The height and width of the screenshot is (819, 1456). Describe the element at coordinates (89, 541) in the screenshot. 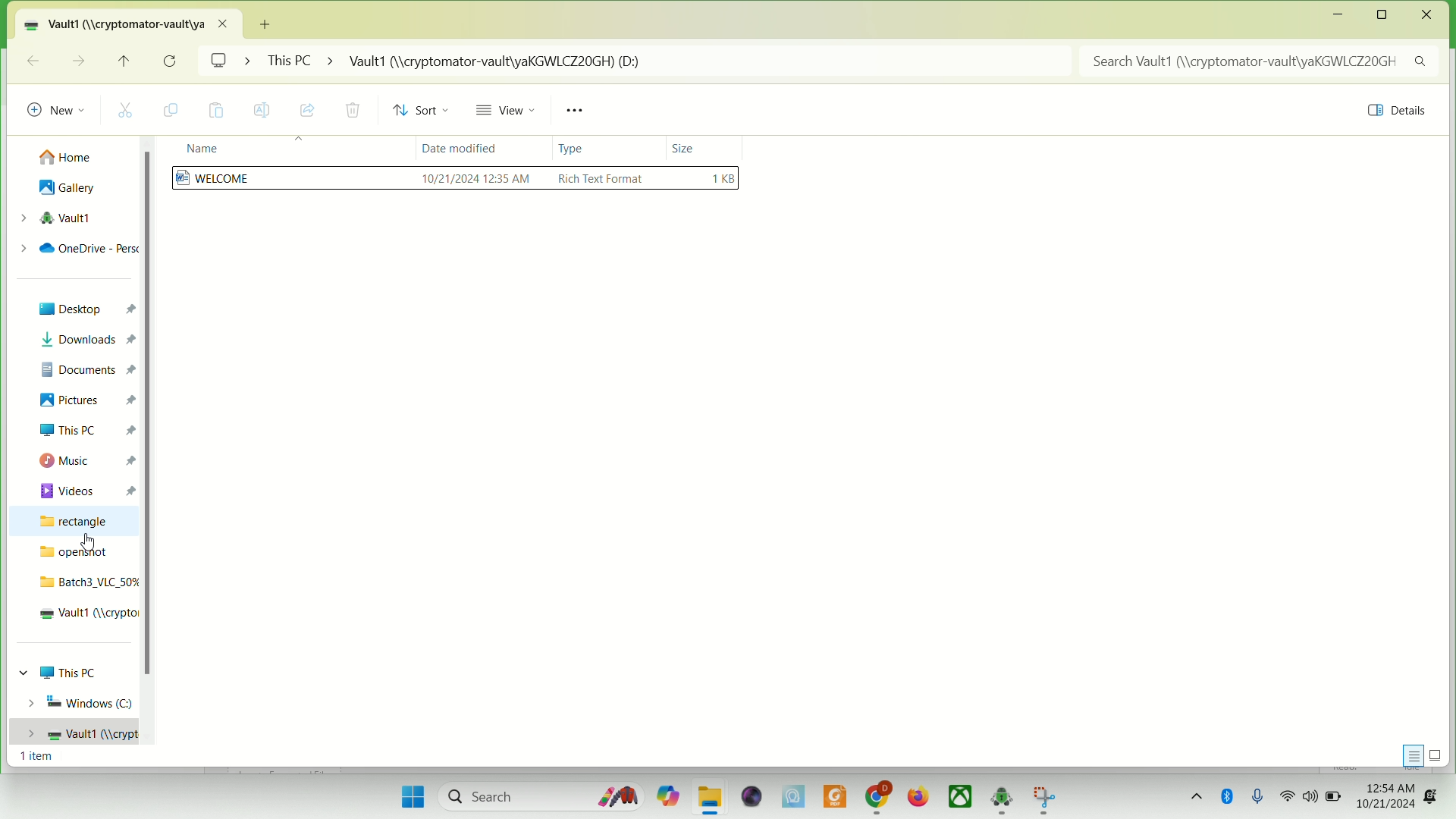

I see `cursor` at that location.